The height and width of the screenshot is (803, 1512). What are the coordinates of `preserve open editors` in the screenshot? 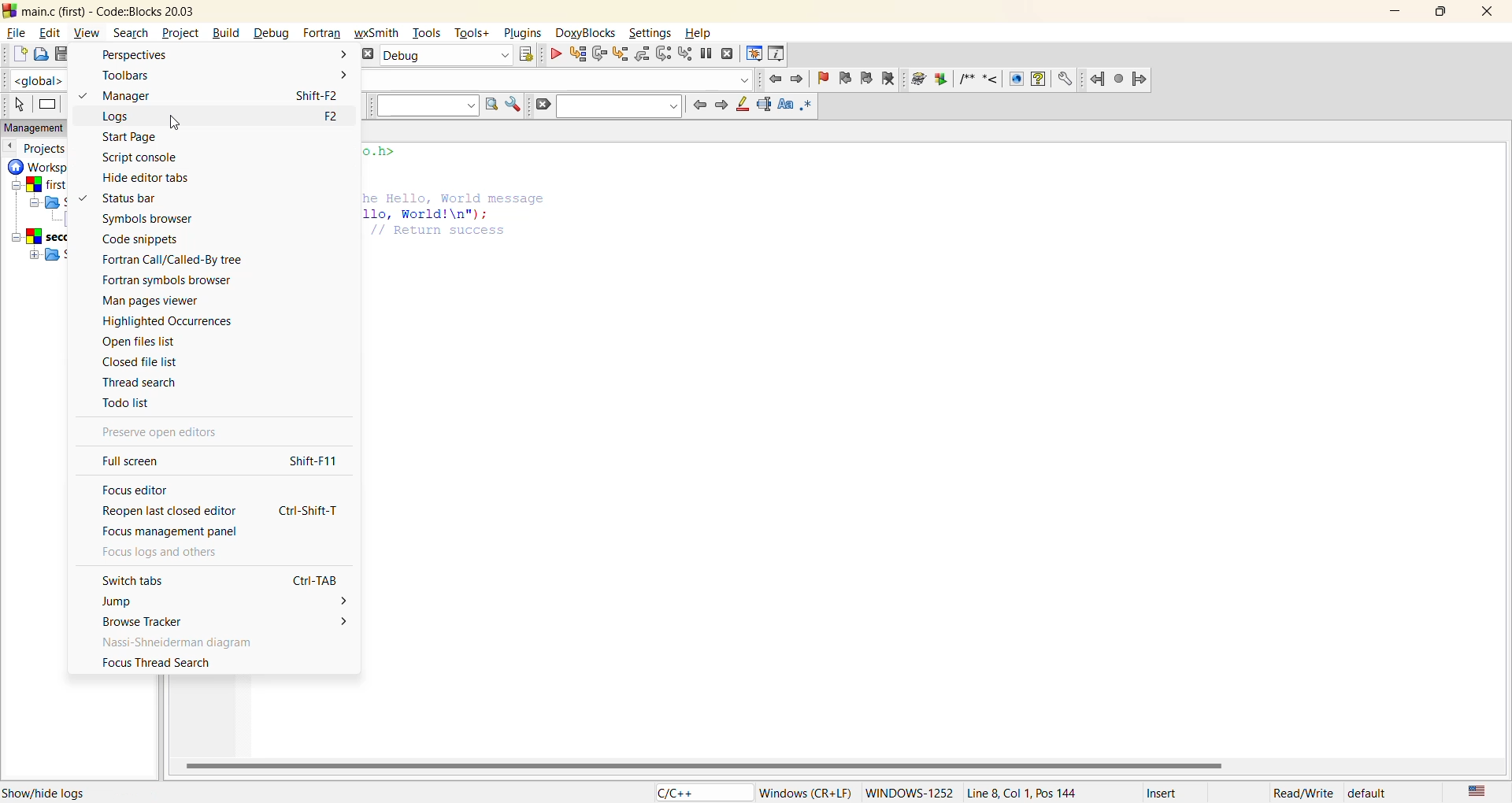 It's located at (161, 435).